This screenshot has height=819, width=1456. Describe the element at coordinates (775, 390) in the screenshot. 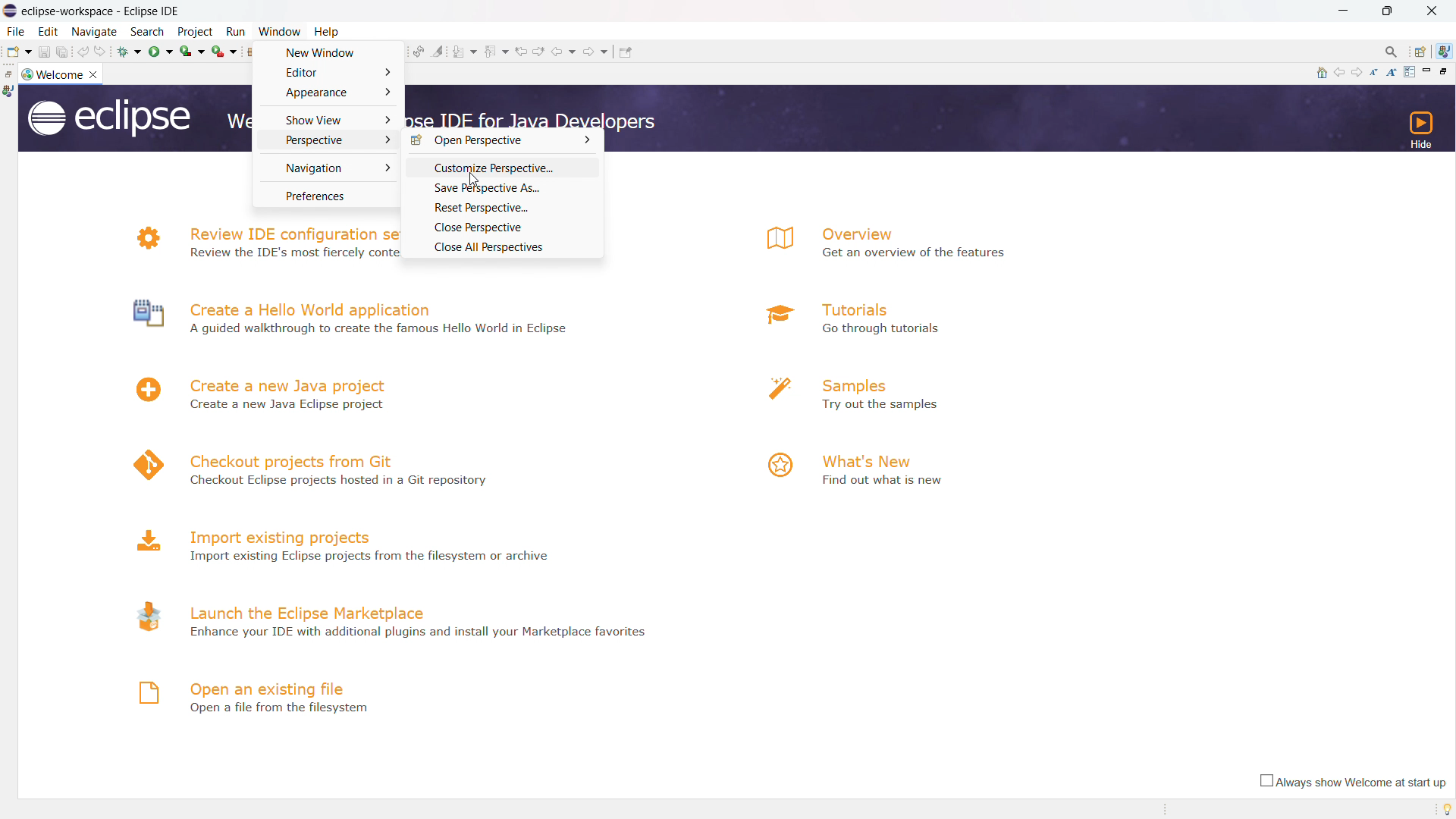

I see `logo` at that location.